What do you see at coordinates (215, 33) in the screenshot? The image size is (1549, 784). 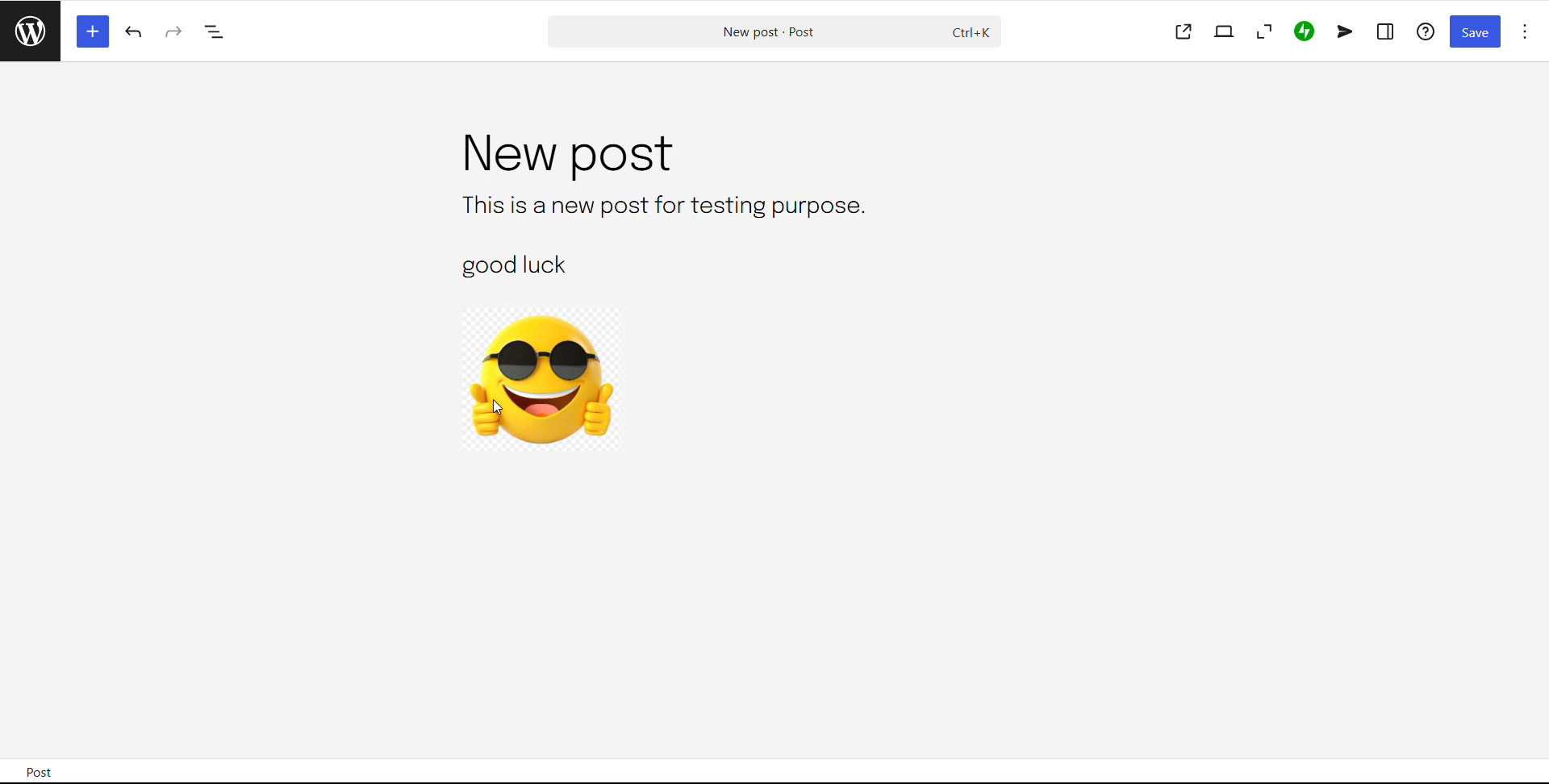 I see `document overview` at bounding box center [215, 33].